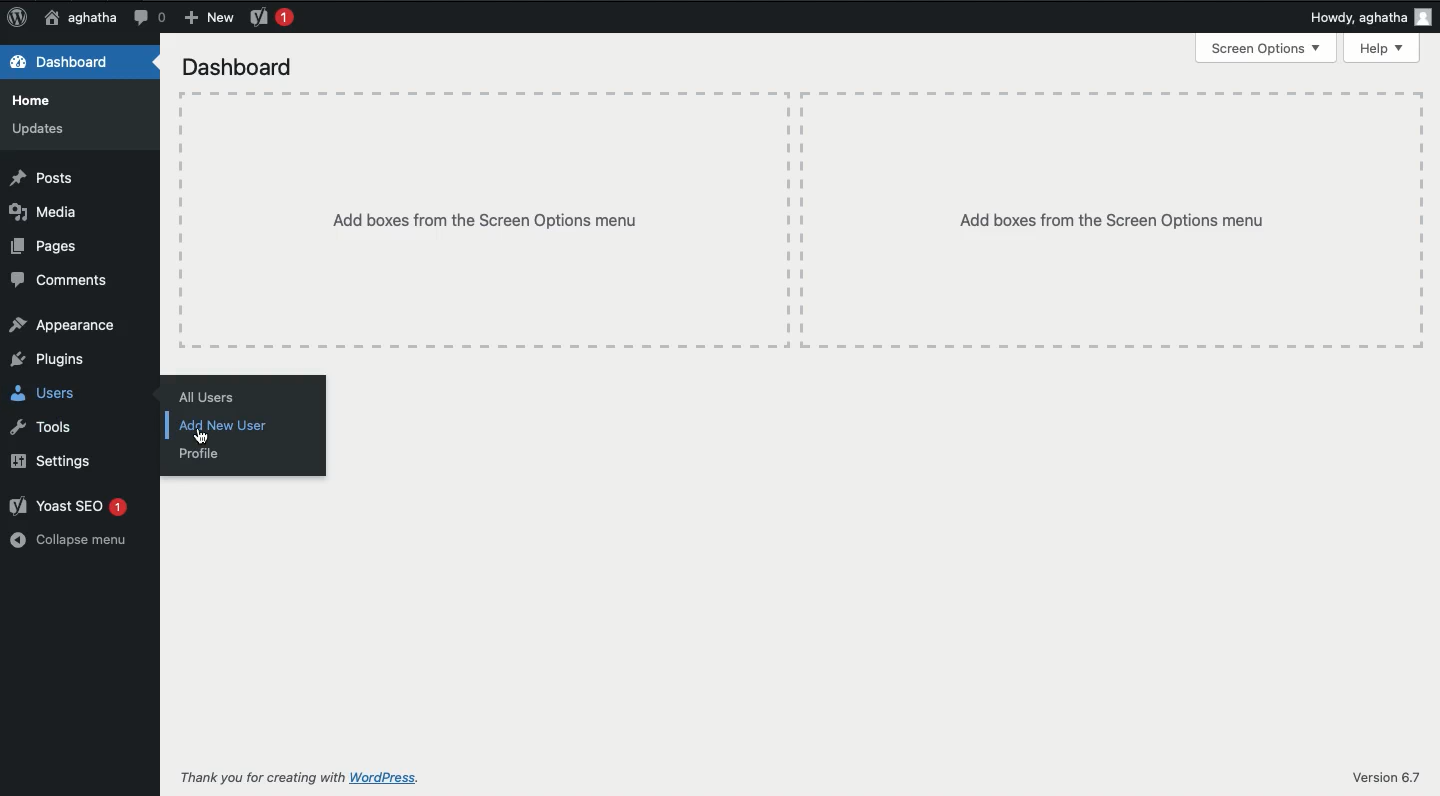 This screenshot has height=796, width=1440. I want to click on Comment, so click(149, 17).